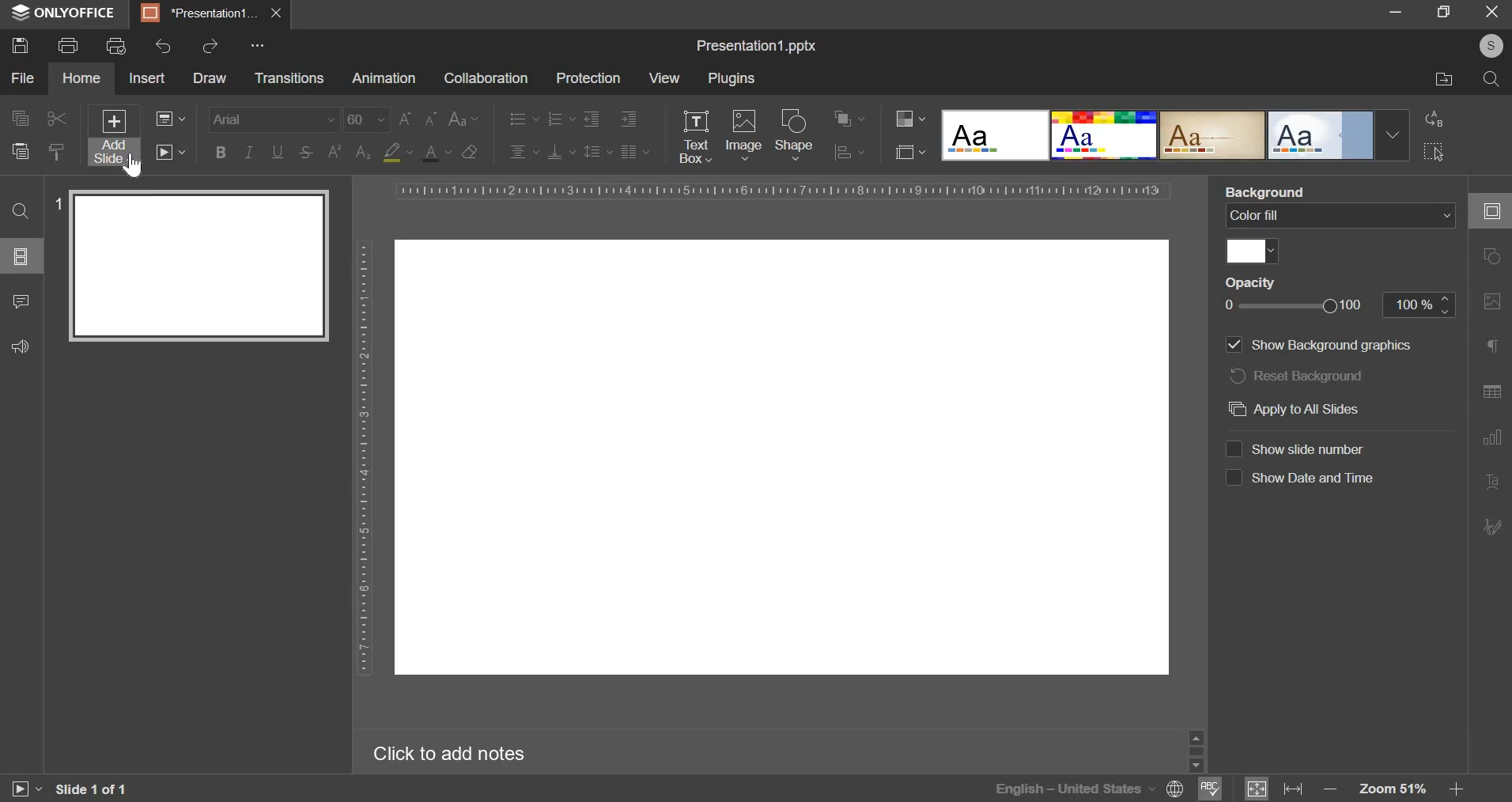  Describe the element at coordinates (277, 150) in the screenshot. I see `underline` at that location.